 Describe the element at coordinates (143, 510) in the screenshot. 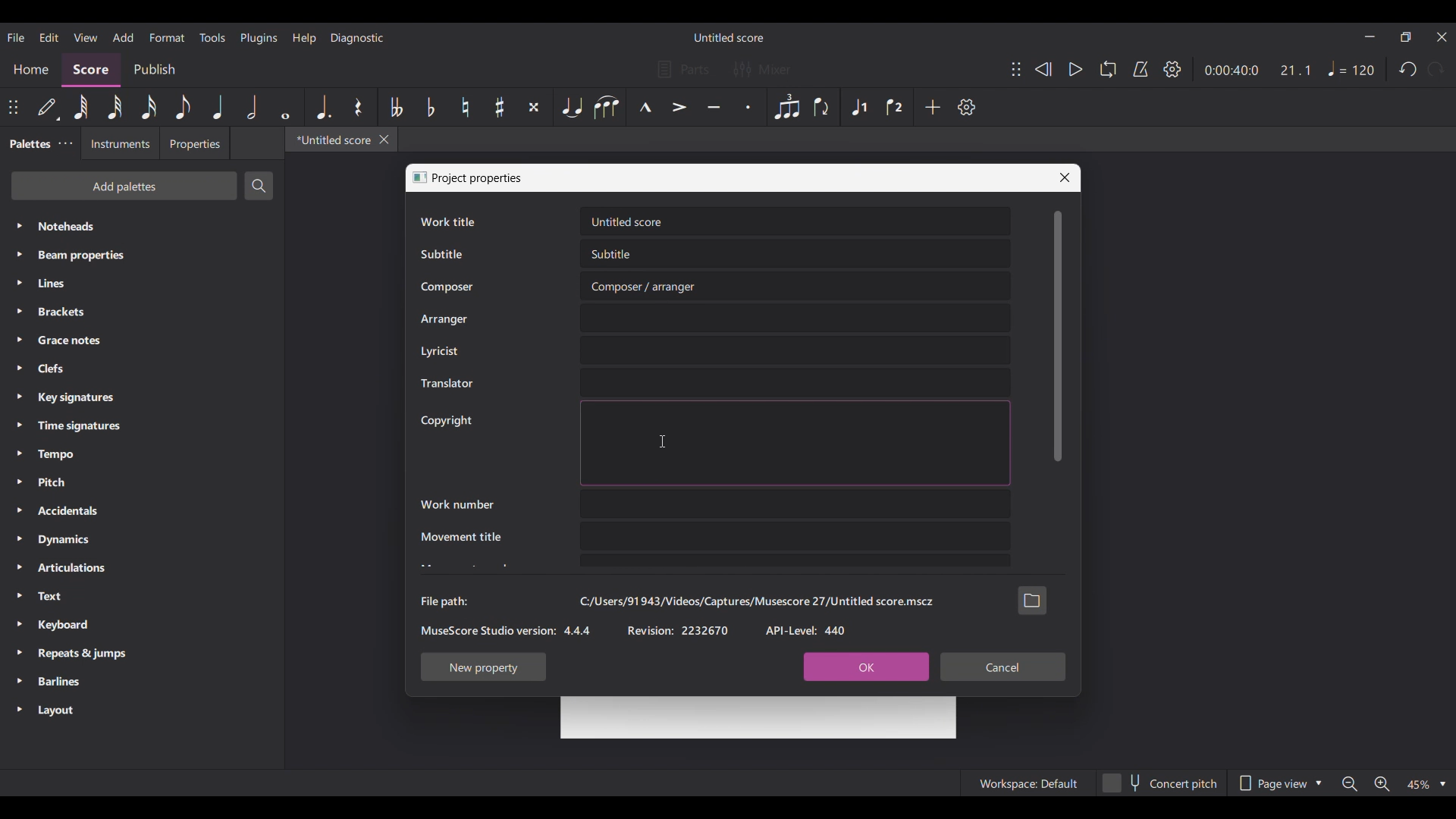

I see `Accidentals` at that location.